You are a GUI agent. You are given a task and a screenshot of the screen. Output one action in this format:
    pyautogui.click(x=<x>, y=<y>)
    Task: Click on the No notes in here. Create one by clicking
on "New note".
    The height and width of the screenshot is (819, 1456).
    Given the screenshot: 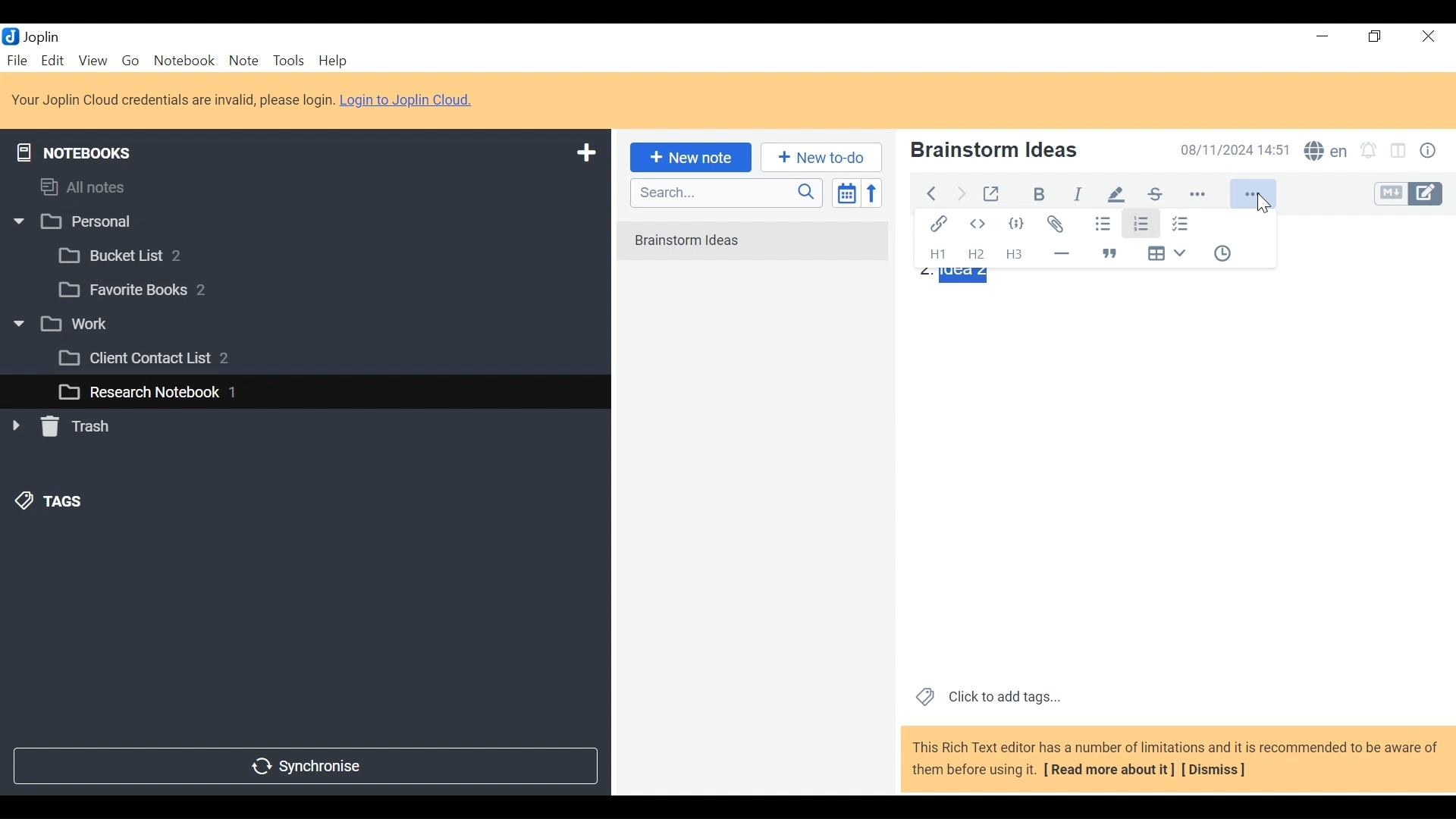 What is the action you would take?
    pyautogui.click(x=752, y=242)
    